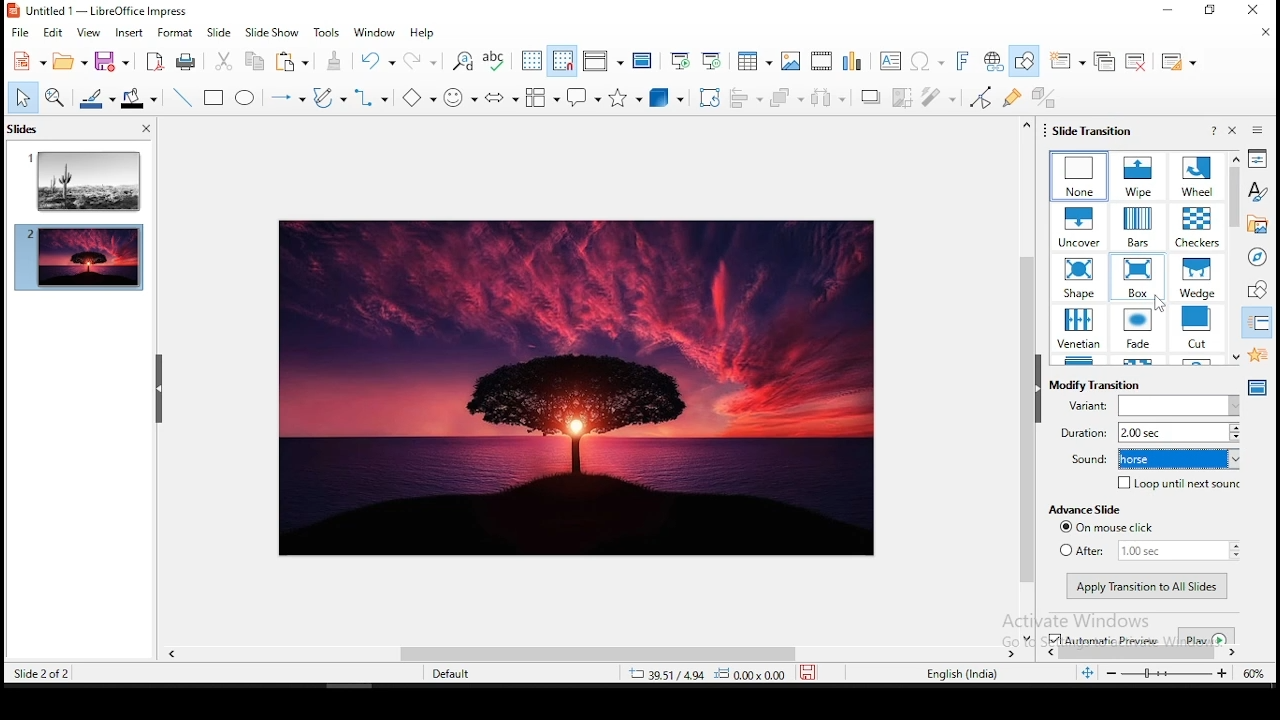 The image size is (1280, 720). I want to click on slide transition, so click(1259, 326).